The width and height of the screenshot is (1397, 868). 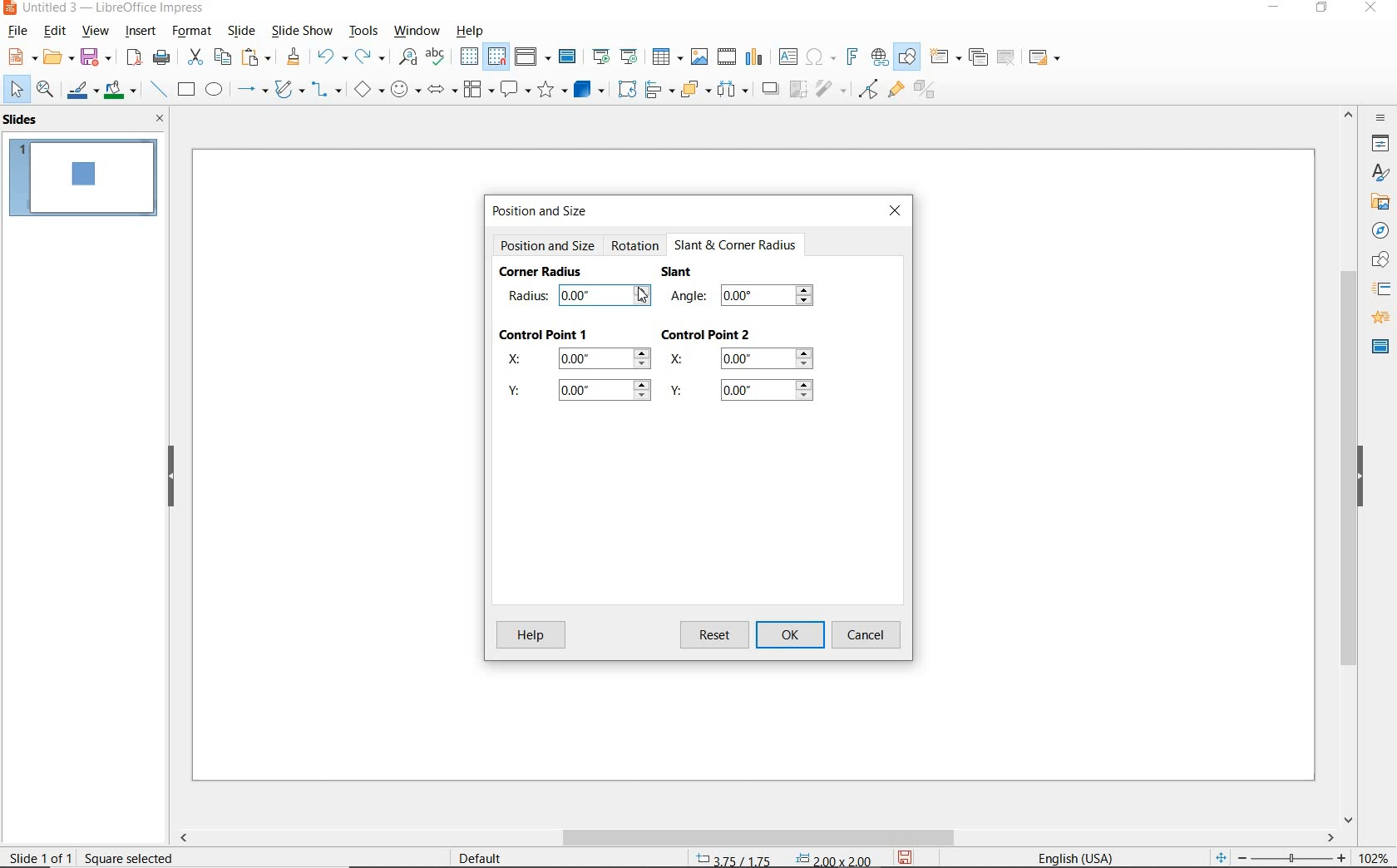 I want to click on arrange, so click(x=695, y=91).